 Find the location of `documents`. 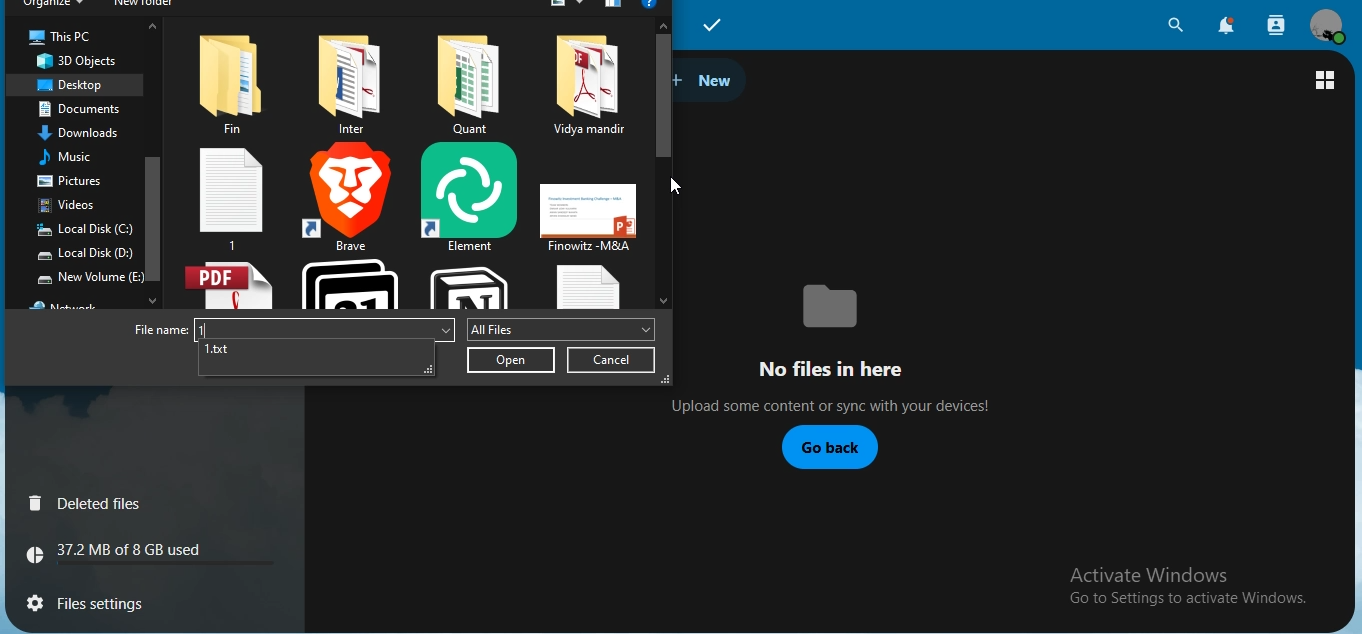

documents is located at coordinates (94, 110).